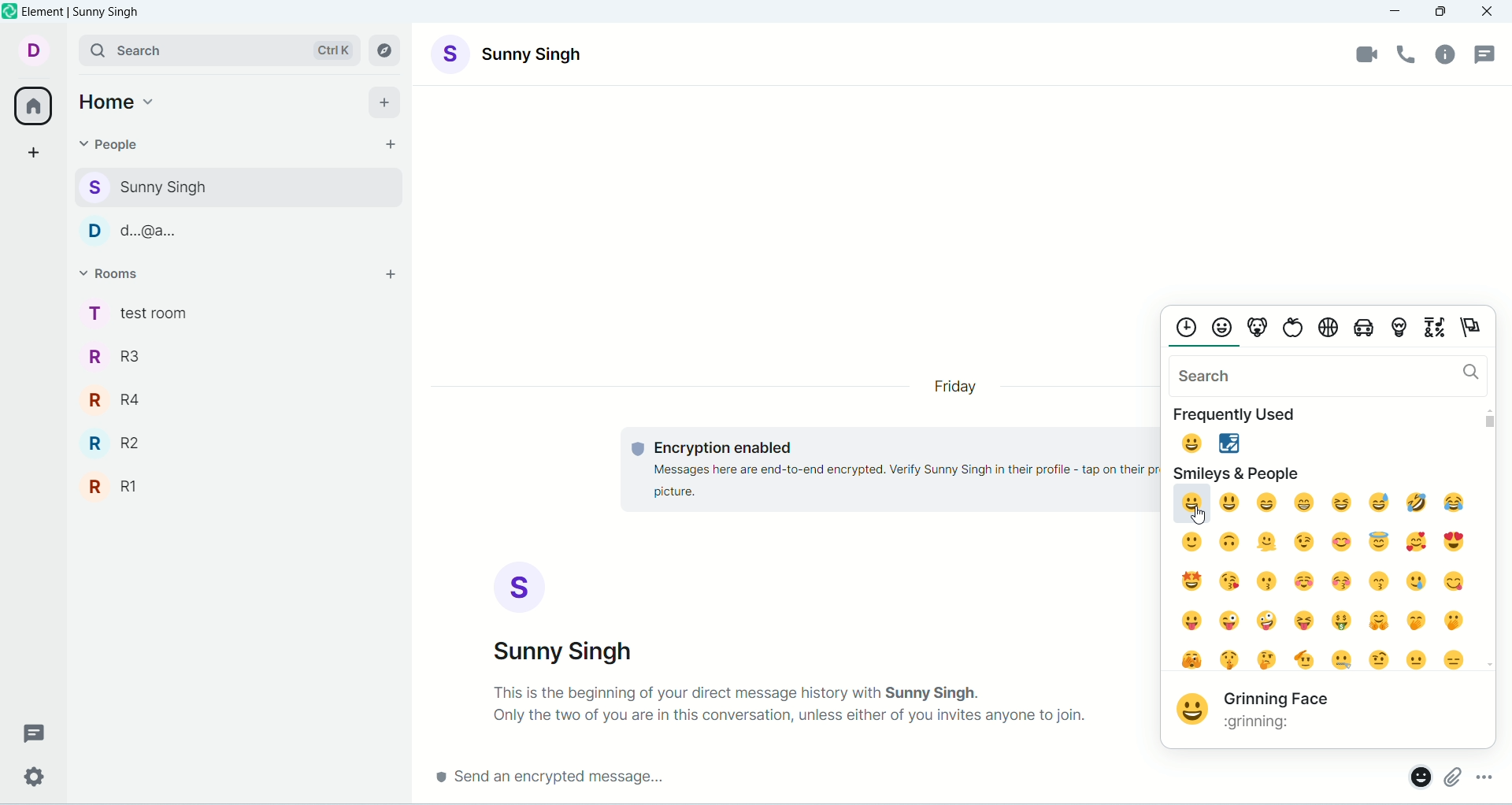  What do you see at coordinates (239, 438) in the screenshot?
I see `R2` at bounding box center [239, 438].